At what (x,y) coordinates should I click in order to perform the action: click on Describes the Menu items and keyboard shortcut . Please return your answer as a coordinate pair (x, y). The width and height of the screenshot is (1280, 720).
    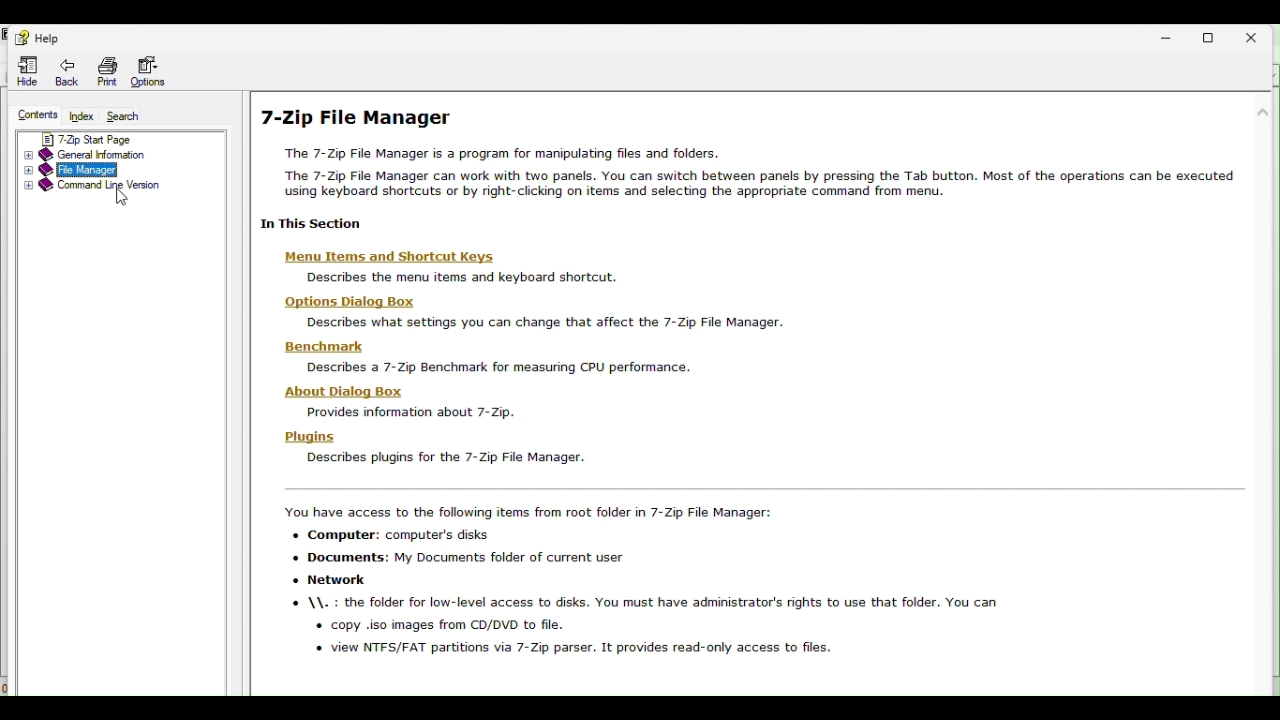
    Looking at the image, I should click on (475, 276).